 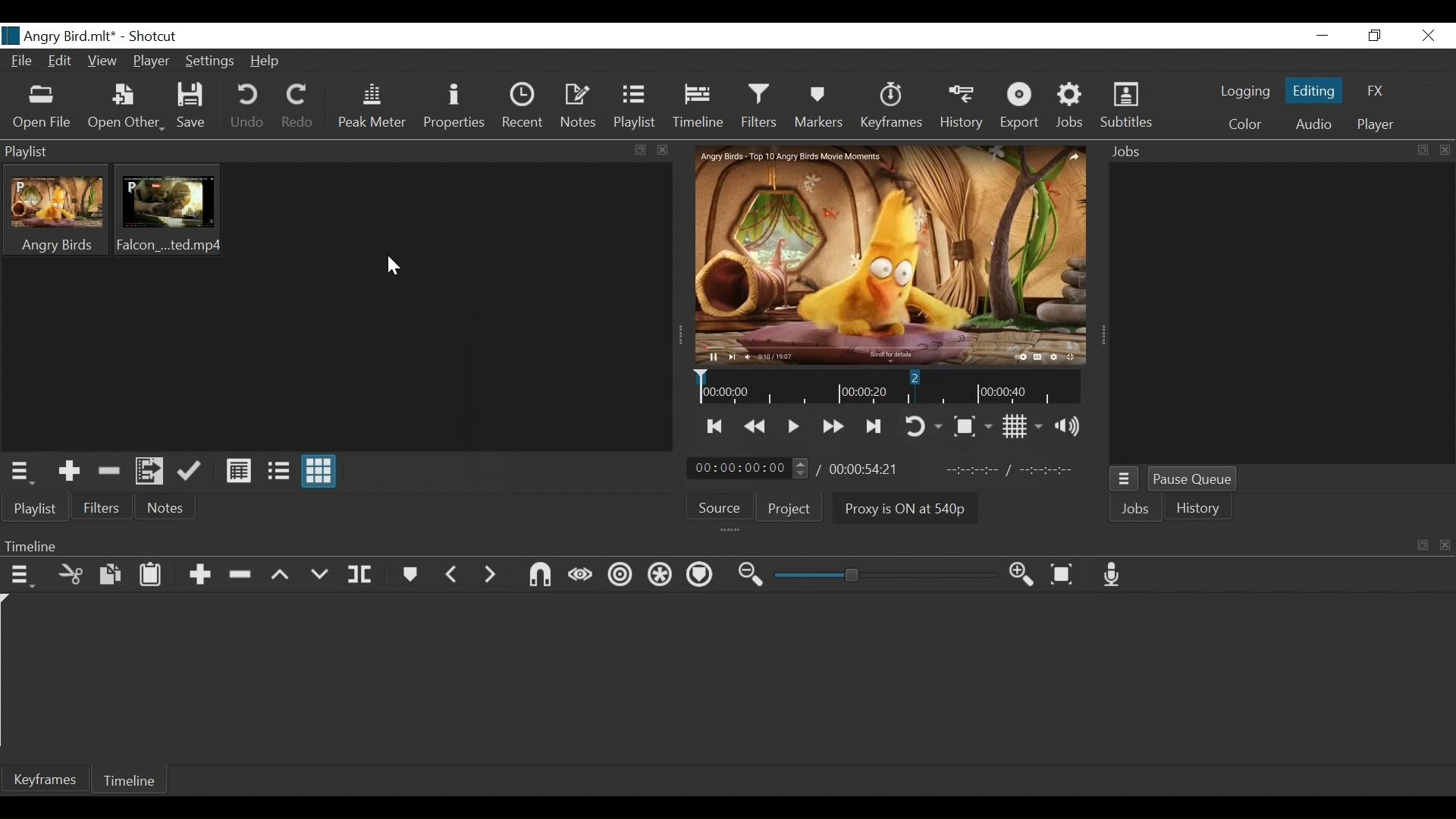 What do you see at coordinates (125, 108) in the screenshot?
I see `Open Other` at bounding box center [125, 108].